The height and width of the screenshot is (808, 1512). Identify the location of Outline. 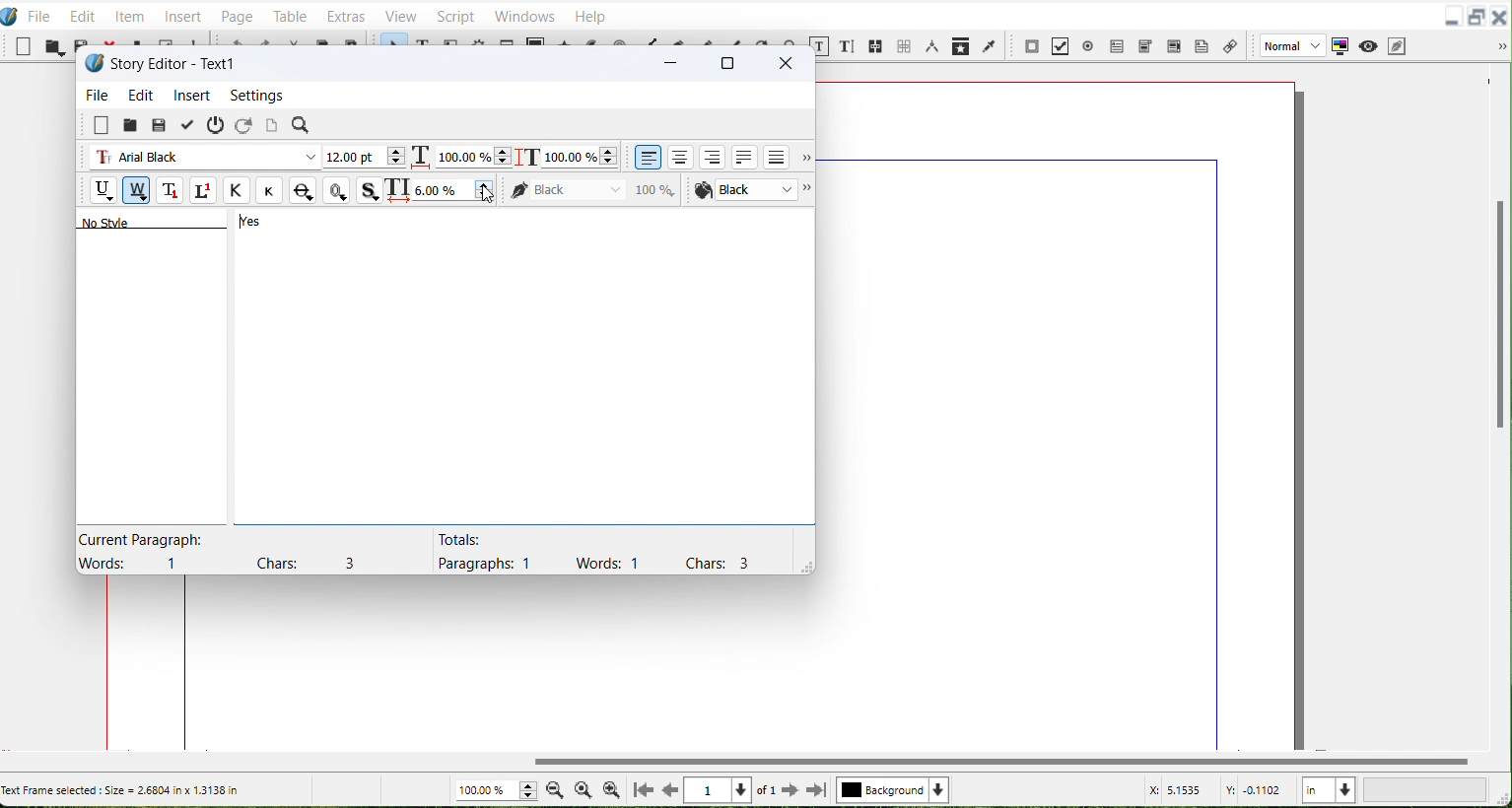
(337, 190).